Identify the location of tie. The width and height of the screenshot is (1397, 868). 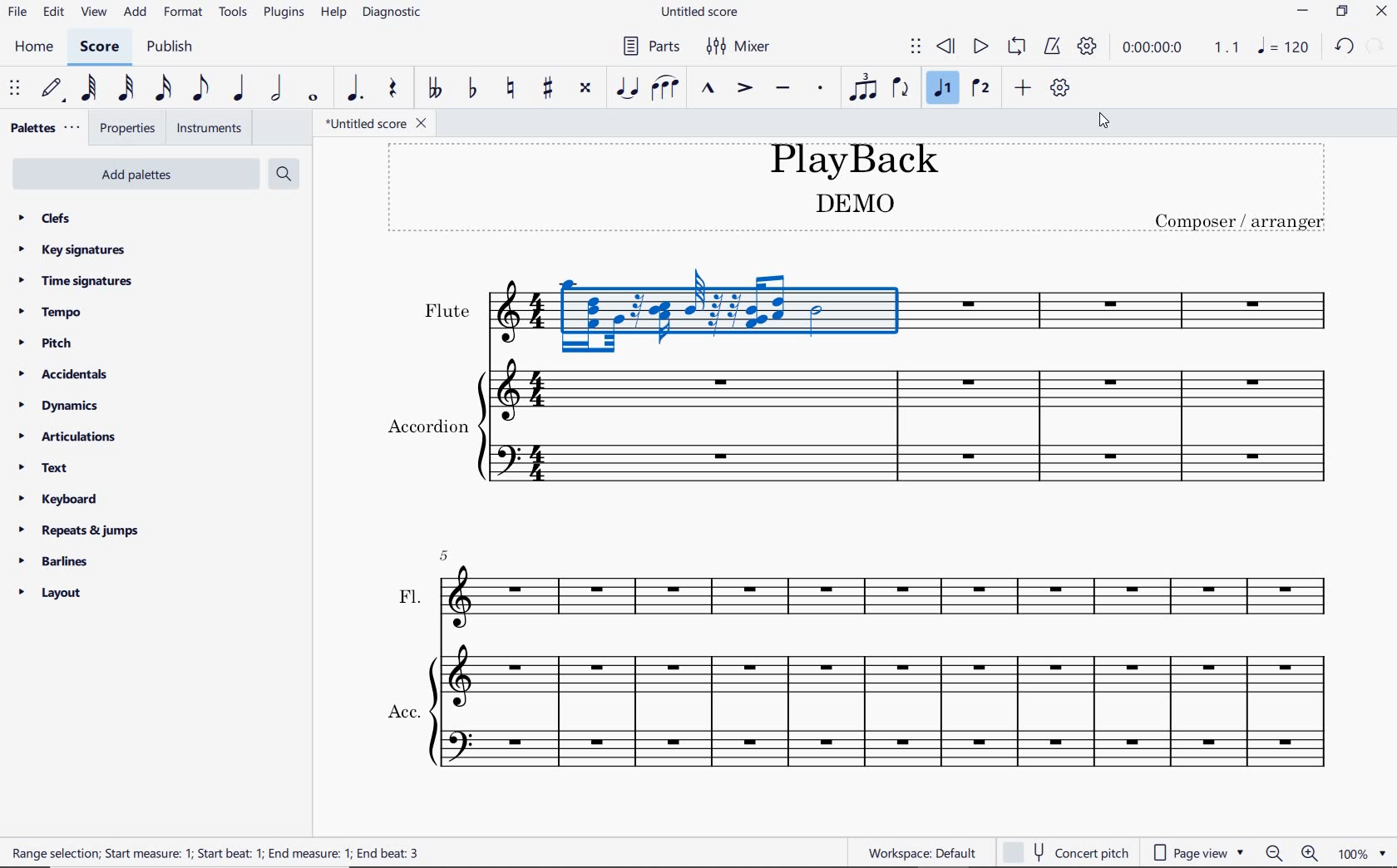
(628, 89).